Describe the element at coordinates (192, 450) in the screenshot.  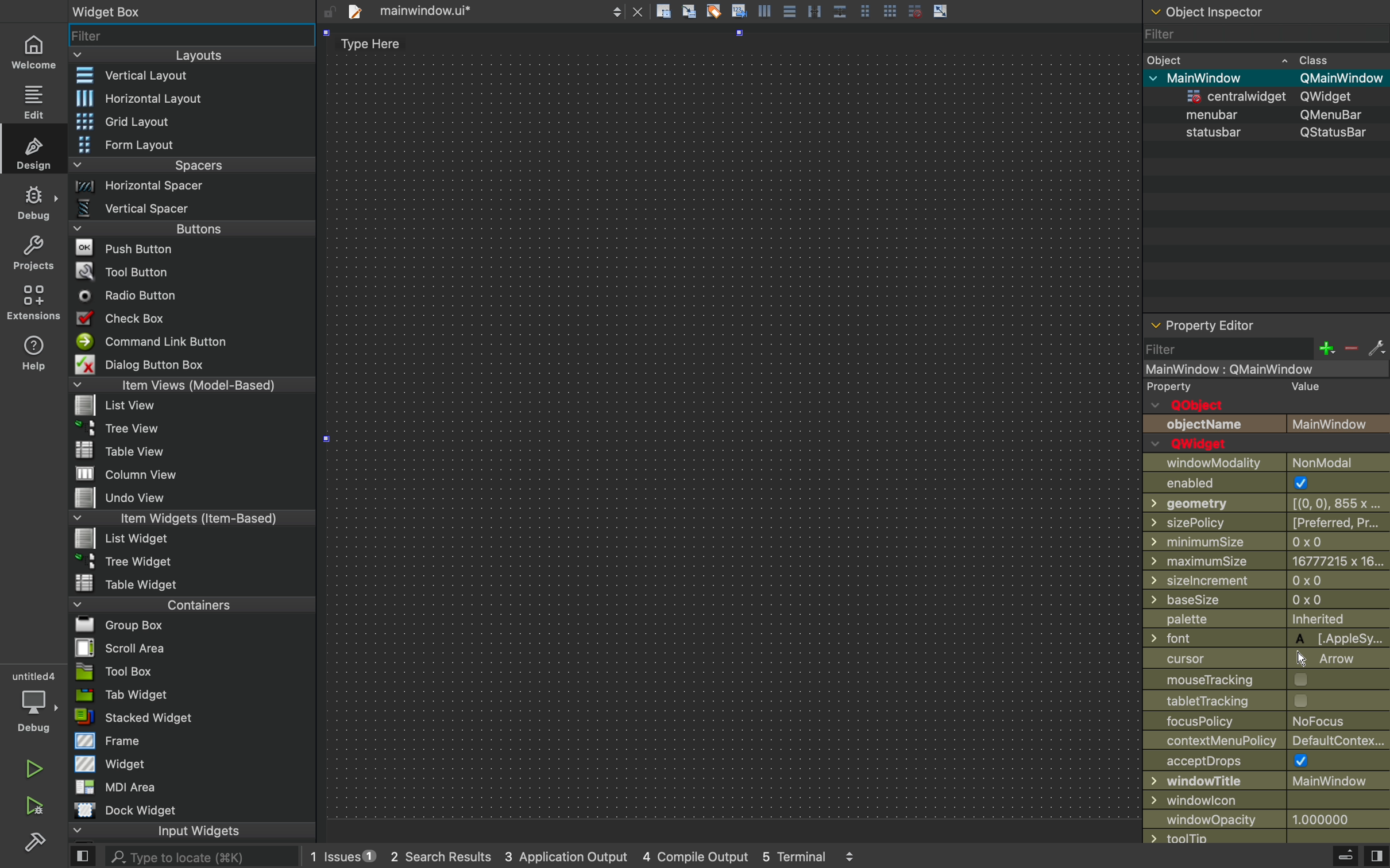
I see `table view` at that location.